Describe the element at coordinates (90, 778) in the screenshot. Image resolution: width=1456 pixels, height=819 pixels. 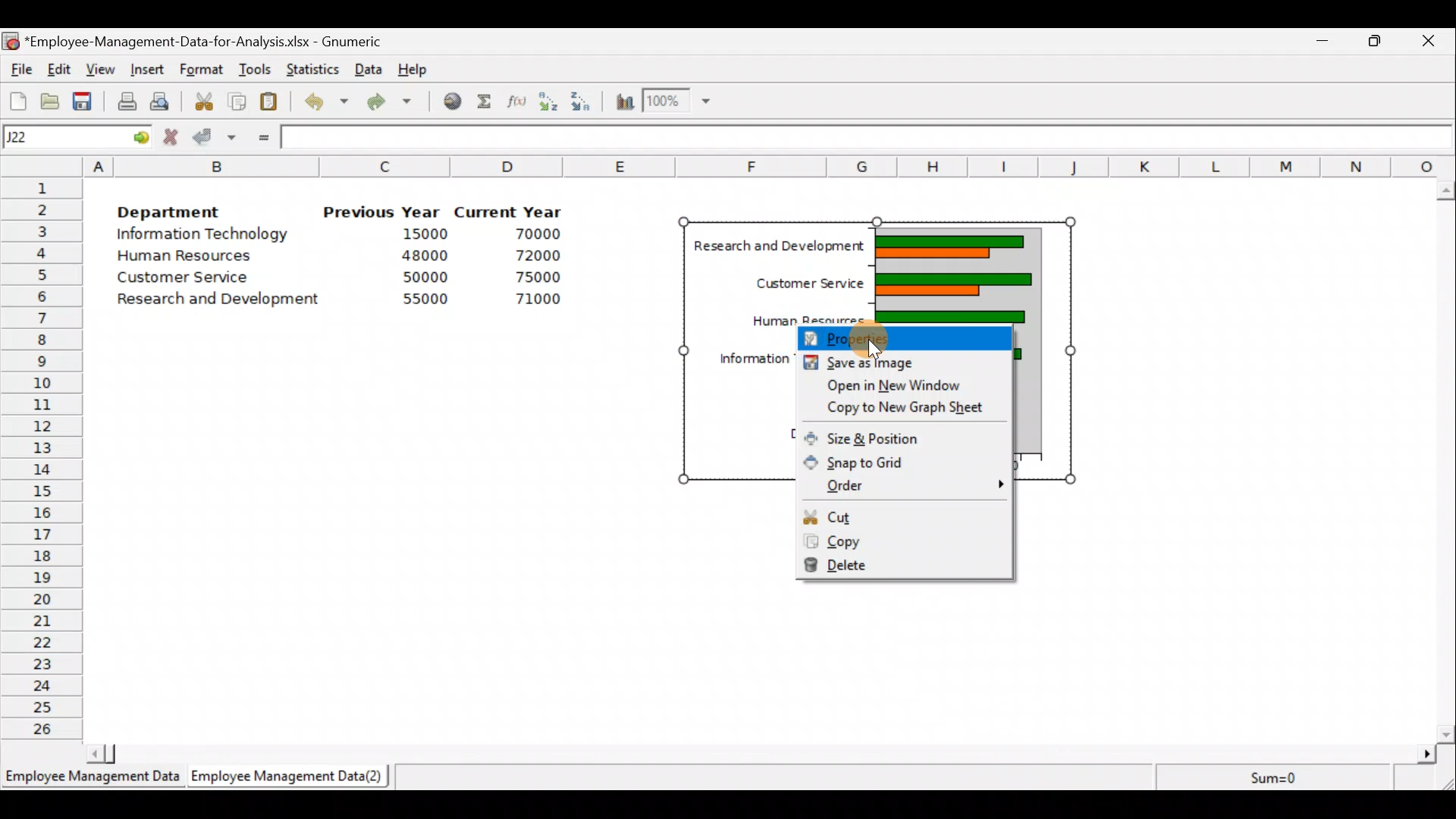
I see `Employee Management Data` at that location.